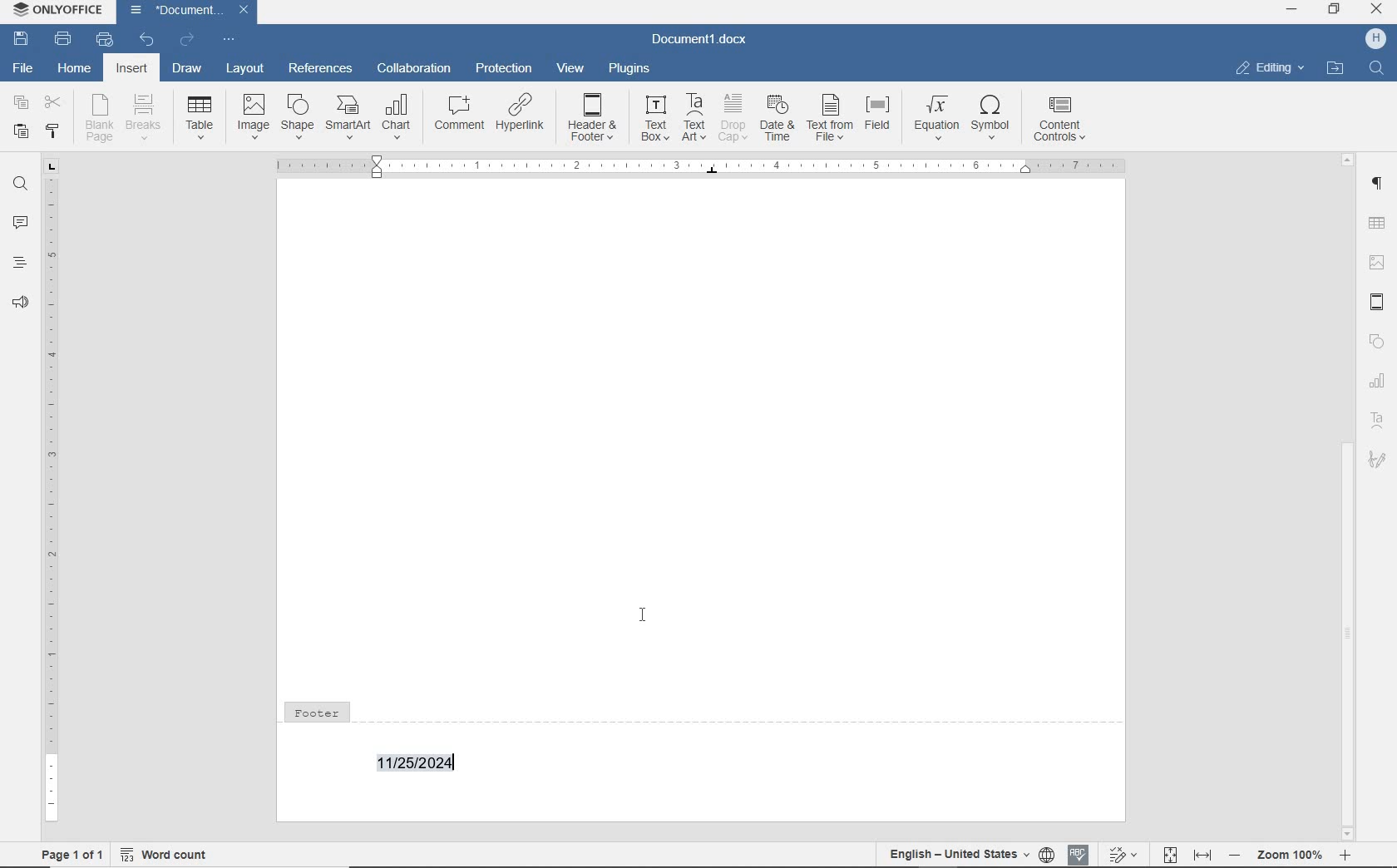  Describe the element at coordinates (733, 117) in the screenshot. I see `drop cap` at that location.